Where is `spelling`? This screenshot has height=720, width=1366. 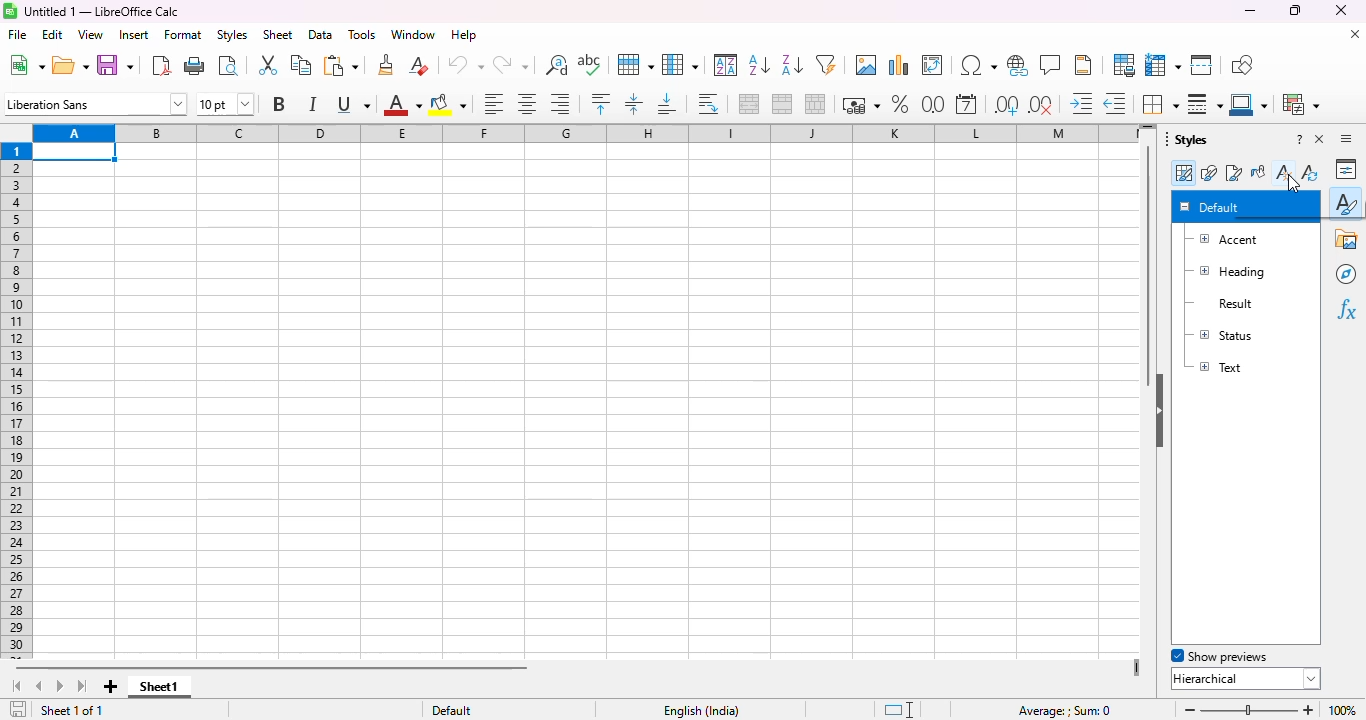 spelling is located at coordinates (590, 64).